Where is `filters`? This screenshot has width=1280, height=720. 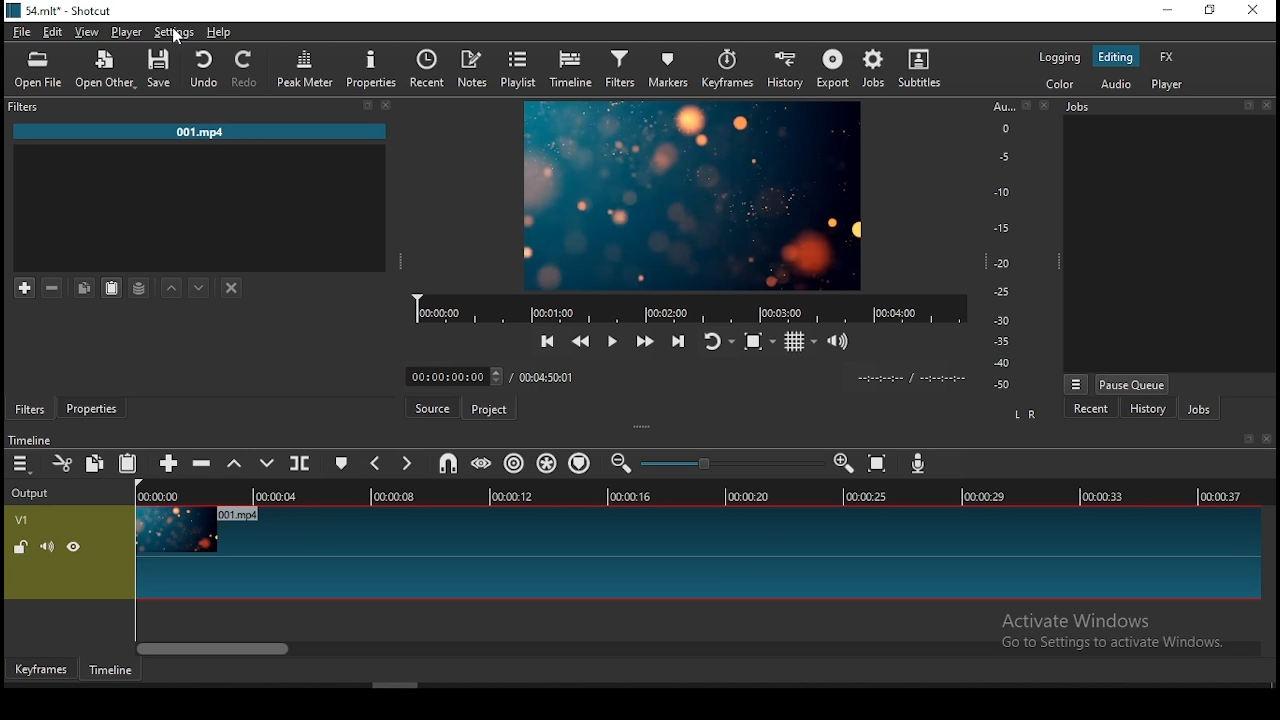
filters is located at coordinates (620, 68).